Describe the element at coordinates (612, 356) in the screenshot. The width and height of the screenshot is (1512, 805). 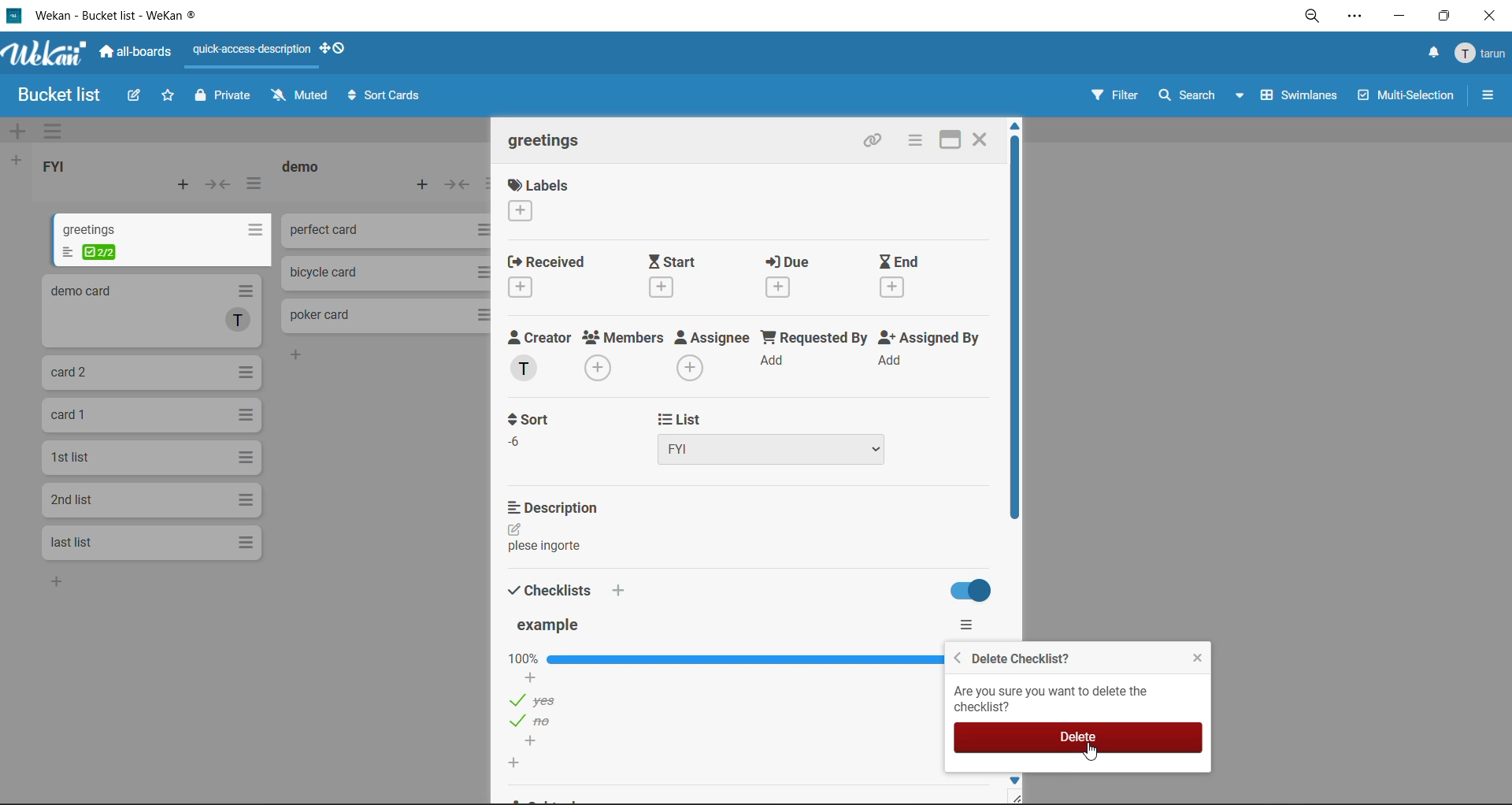
I see `members` at that location.